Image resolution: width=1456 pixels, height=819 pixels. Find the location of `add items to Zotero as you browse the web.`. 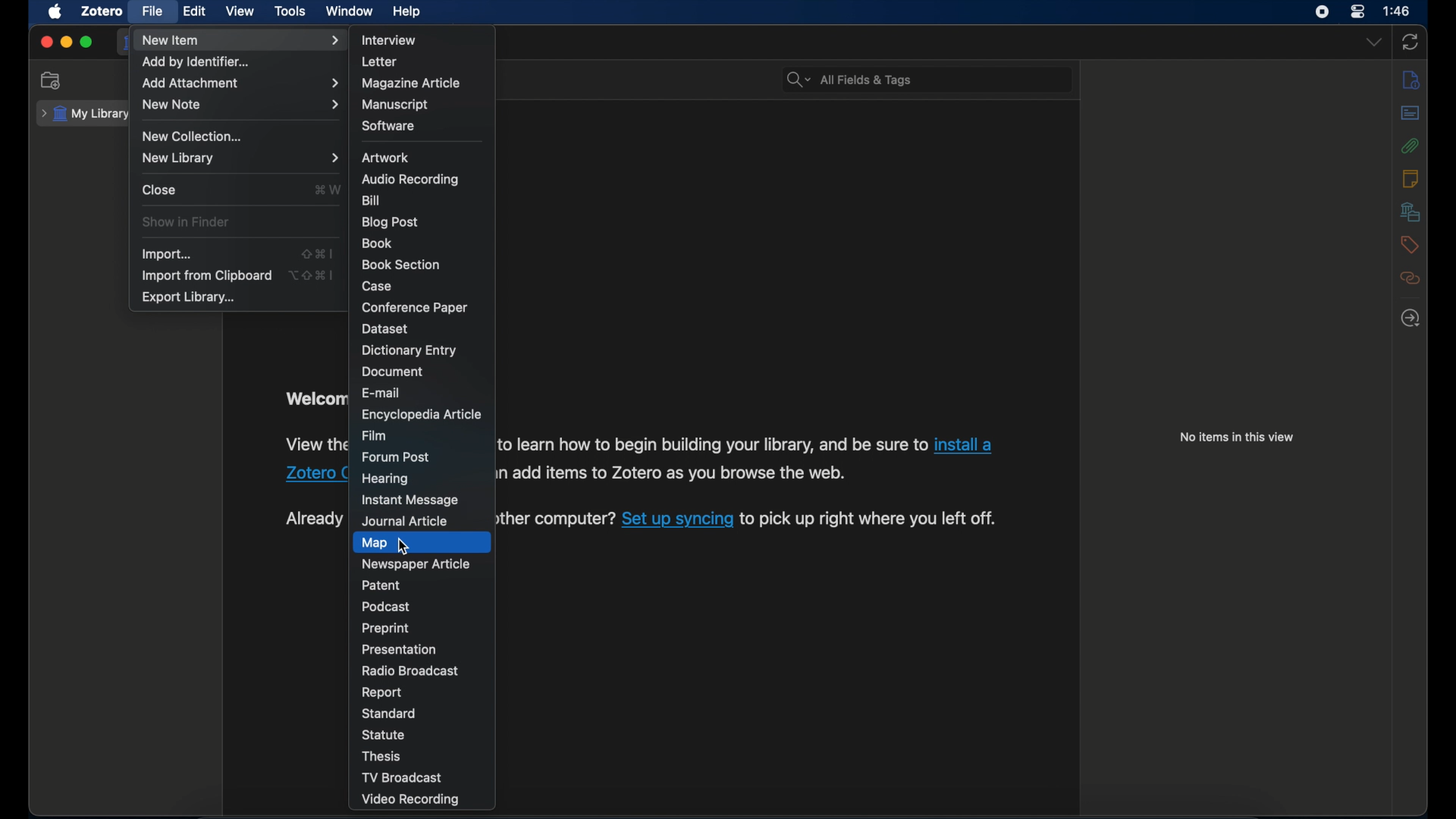

add items to Zotero as you browse the web. is located at coordinates (684, 472).